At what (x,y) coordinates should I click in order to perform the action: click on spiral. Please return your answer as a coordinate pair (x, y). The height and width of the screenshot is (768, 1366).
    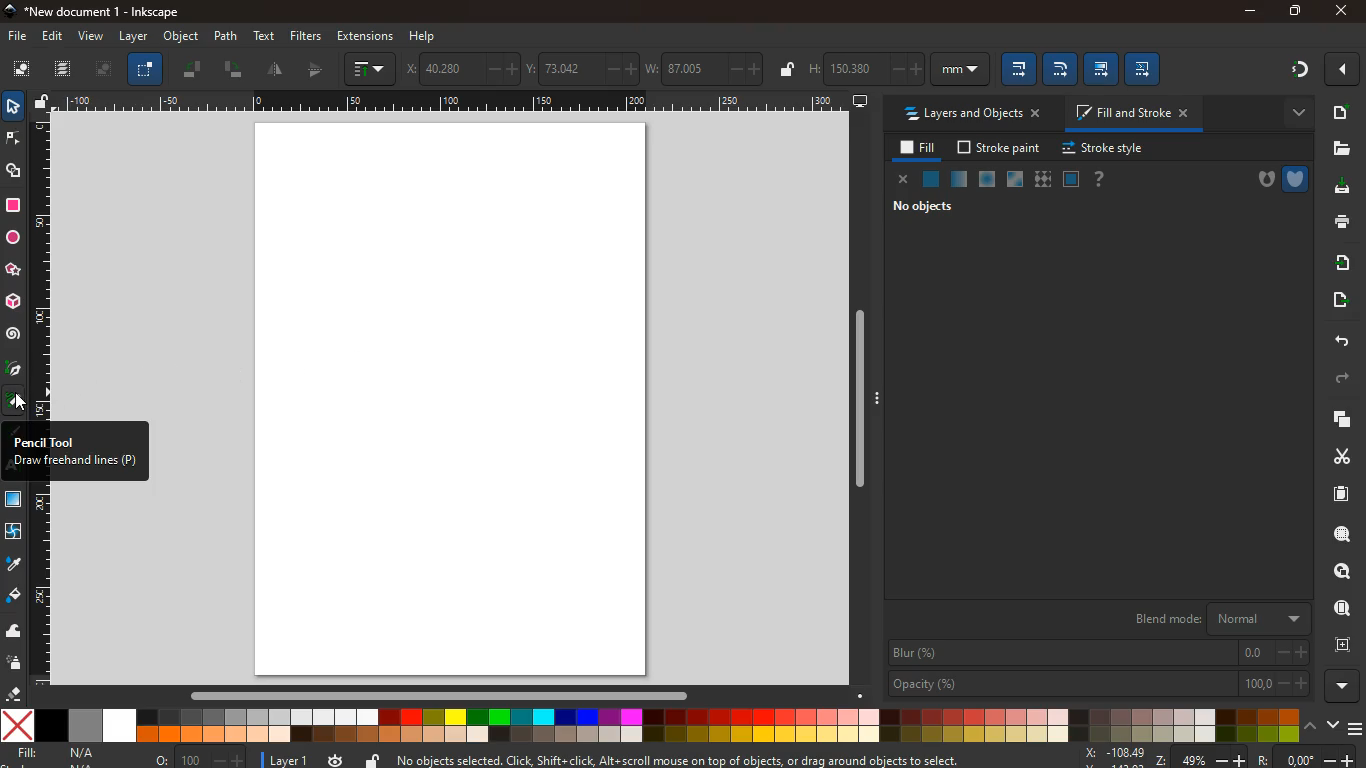
    Looking at the image, I should click on (13, 334).